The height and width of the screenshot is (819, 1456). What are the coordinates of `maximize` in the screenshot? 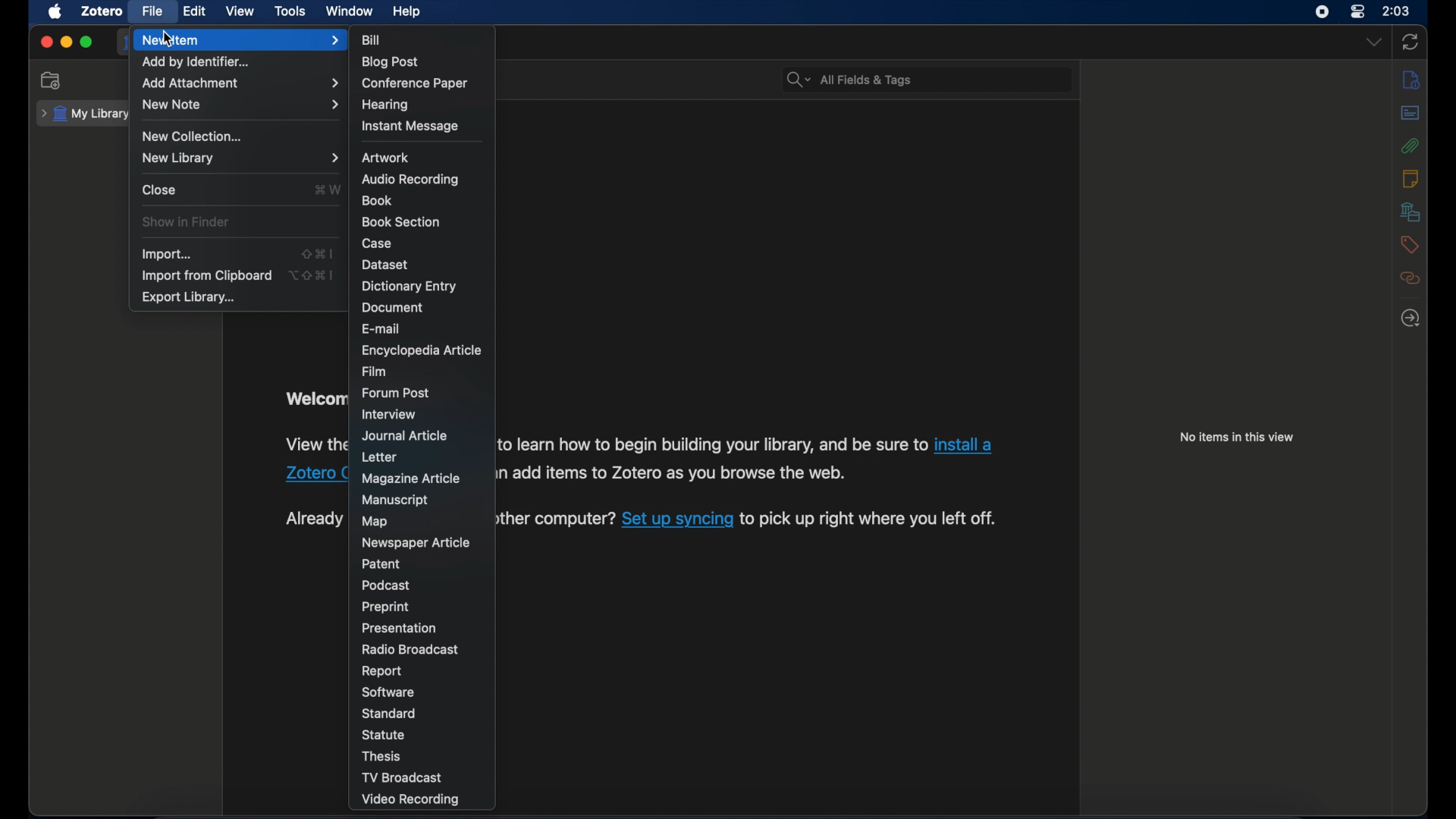 It's located at (87, 42).